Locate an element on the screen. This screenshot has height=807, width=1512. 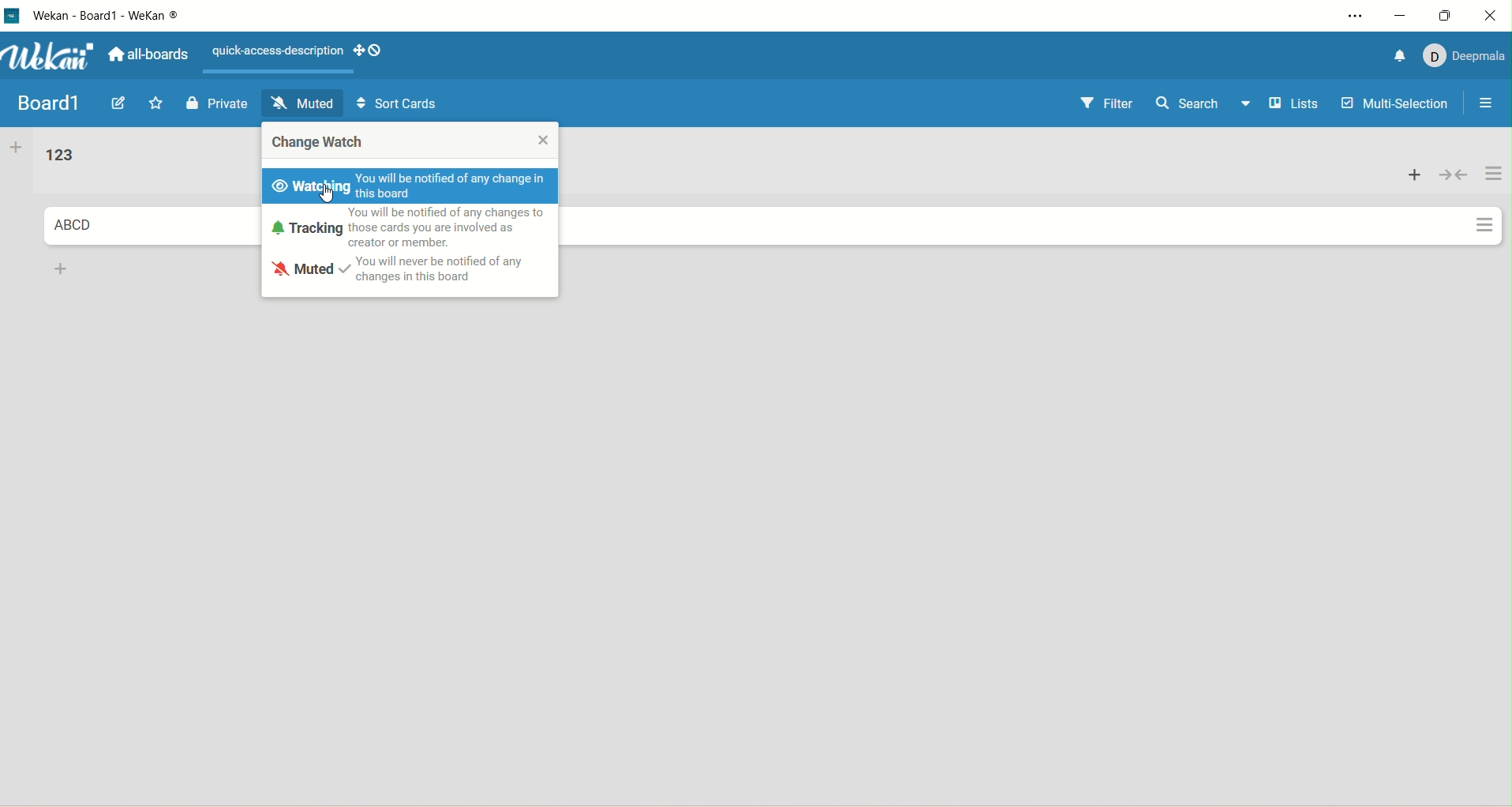
private is located at coordinates (218, 103).